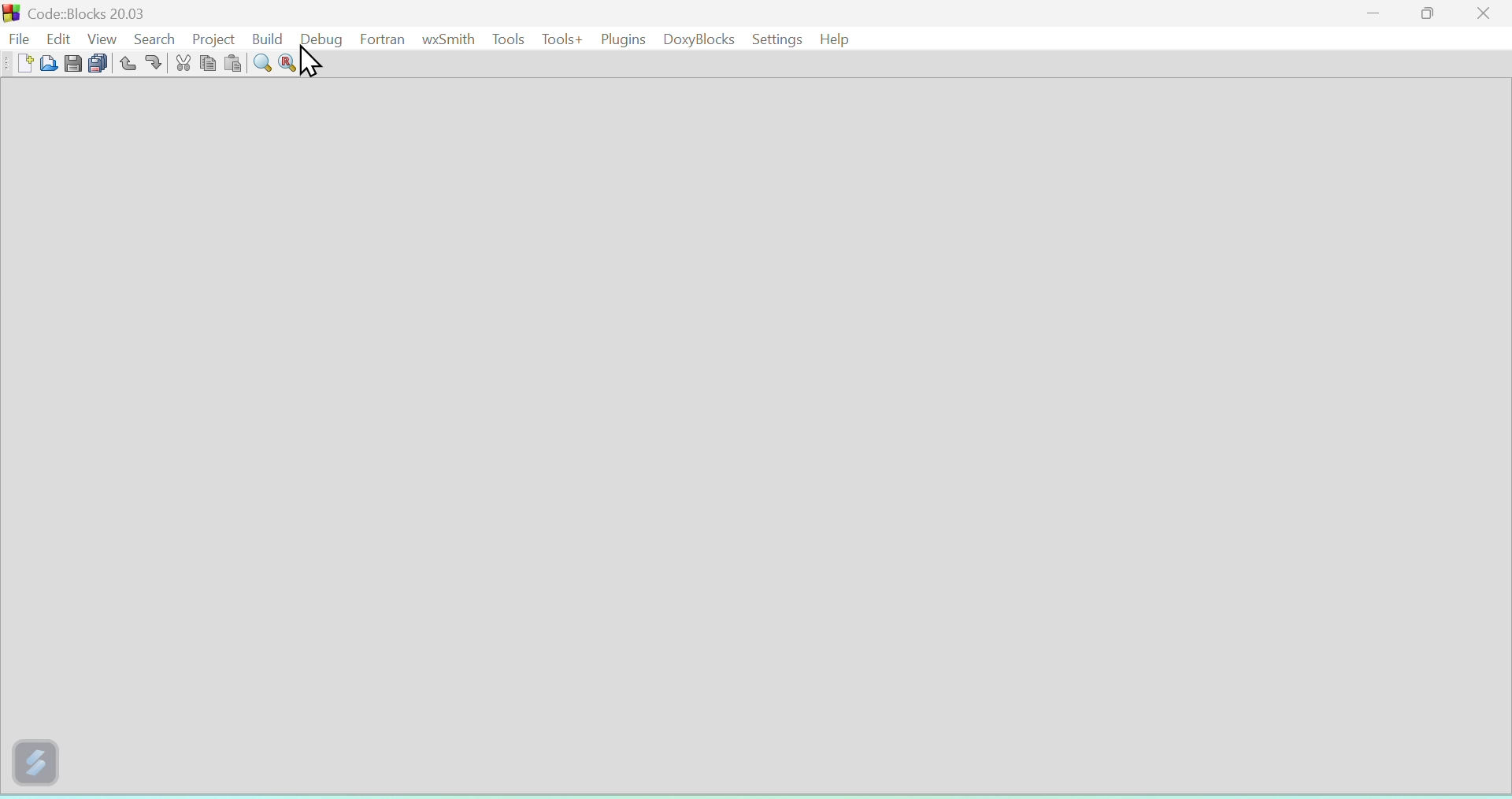  Describe the element at coordinates (287, 64) in the screenshot. I see `replace` at that location.